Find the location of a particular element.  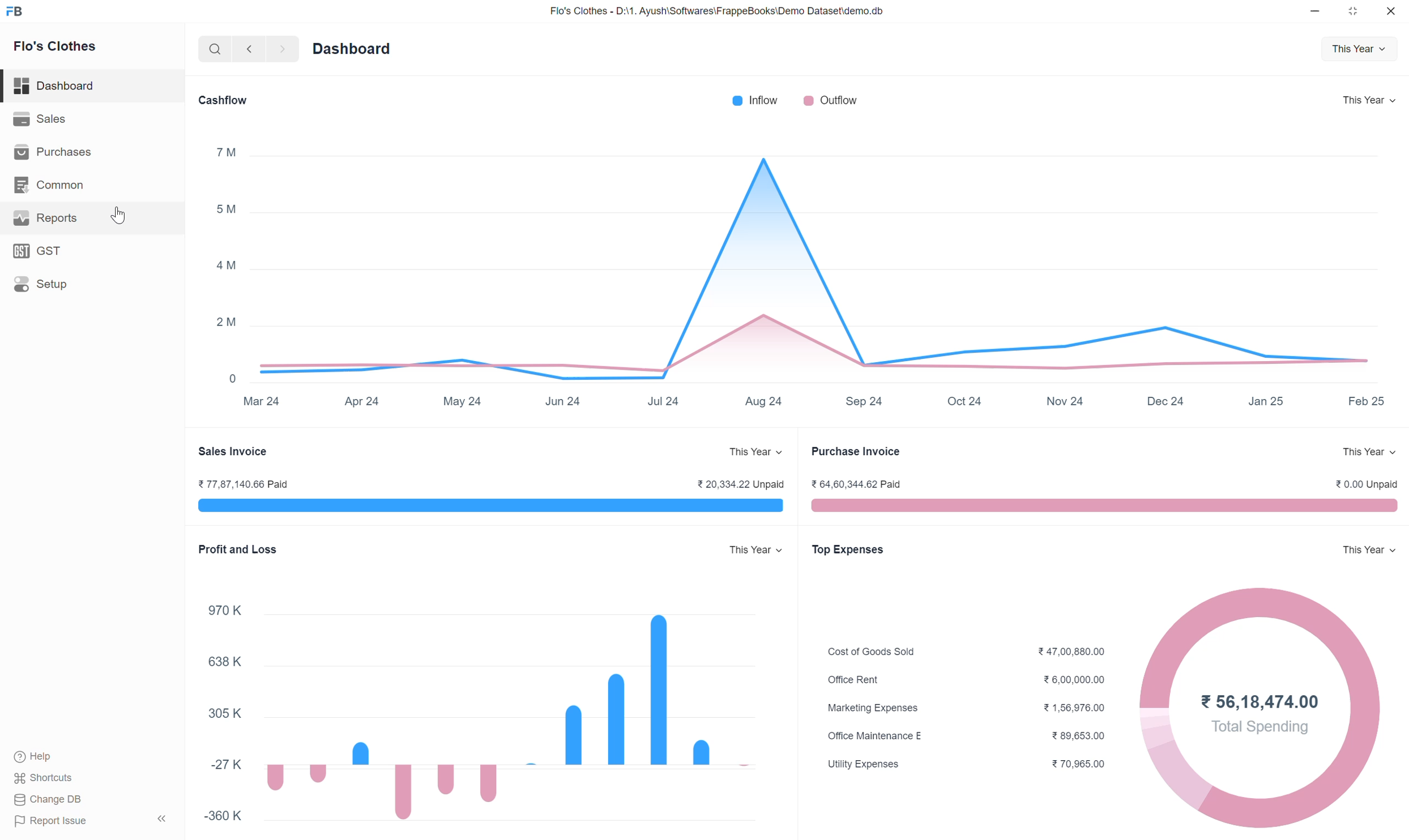

 apr 24 is located at coordinates (362, 404).